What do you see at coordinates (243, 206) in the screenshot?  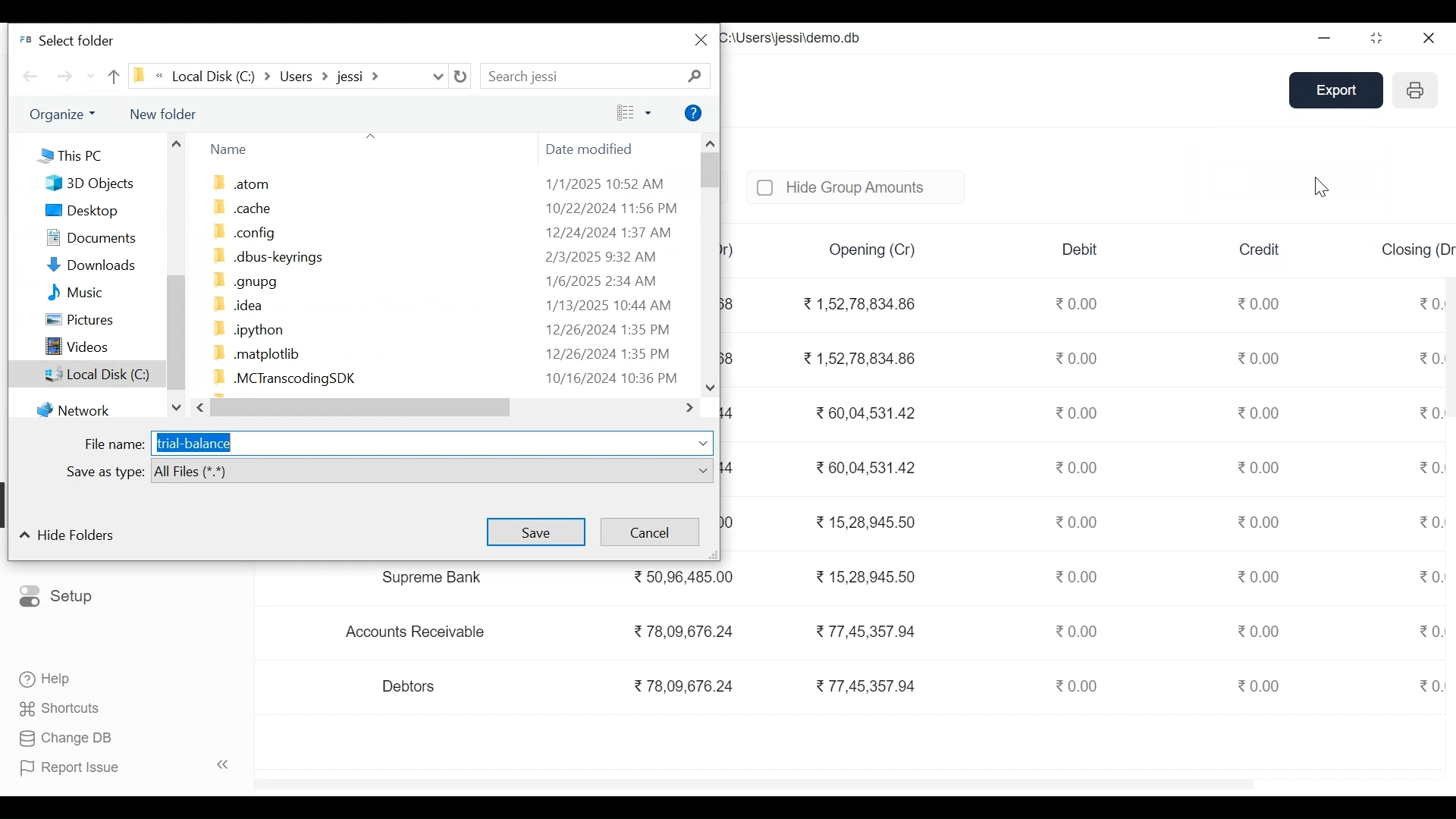 I see `.cache` at bounding box center [243, 206].